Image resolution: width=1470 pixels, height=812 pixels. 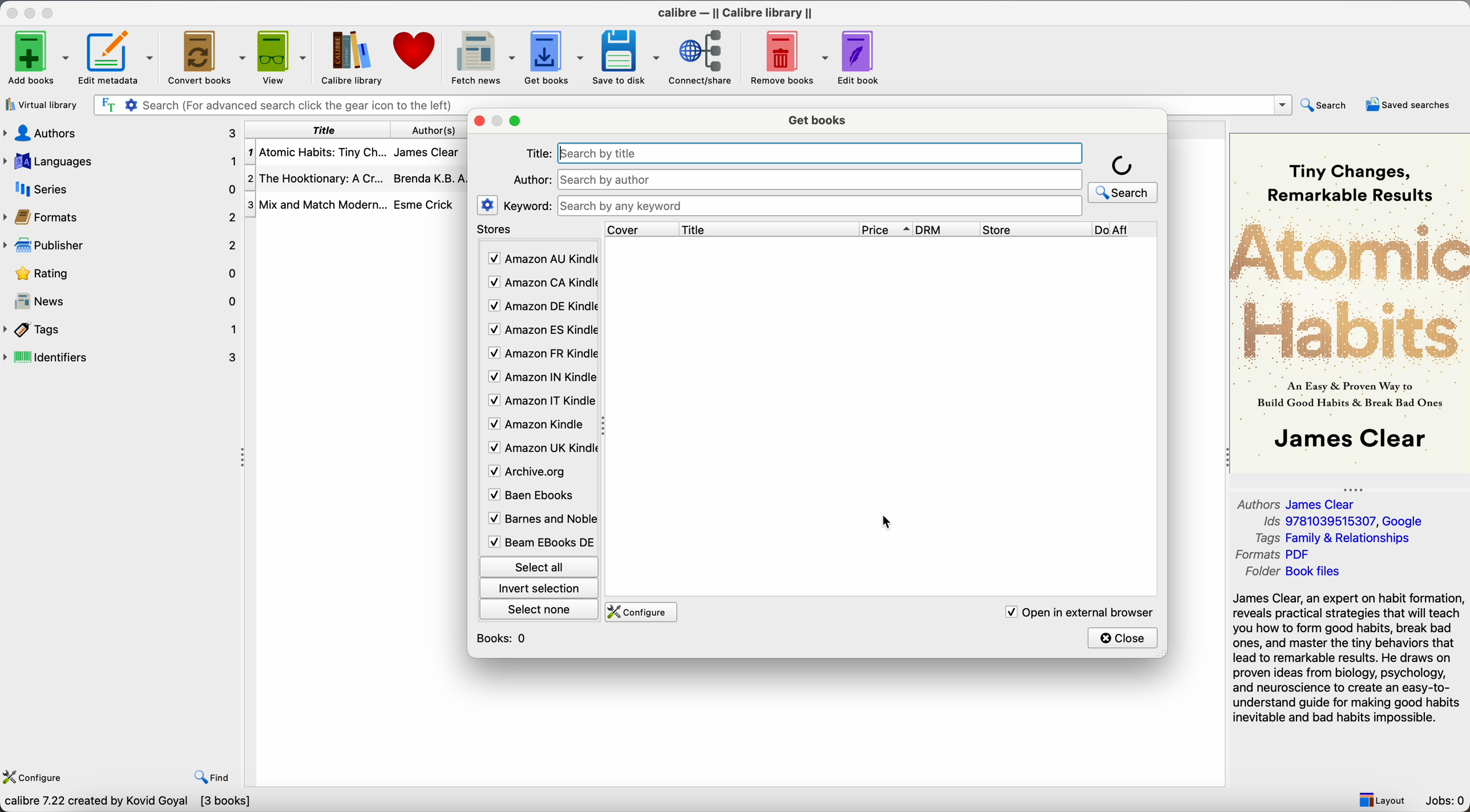 What do you see at coordinates (423, 204) in the screenshot?
I see `Esme Crick` at bounding box center [423, 204].